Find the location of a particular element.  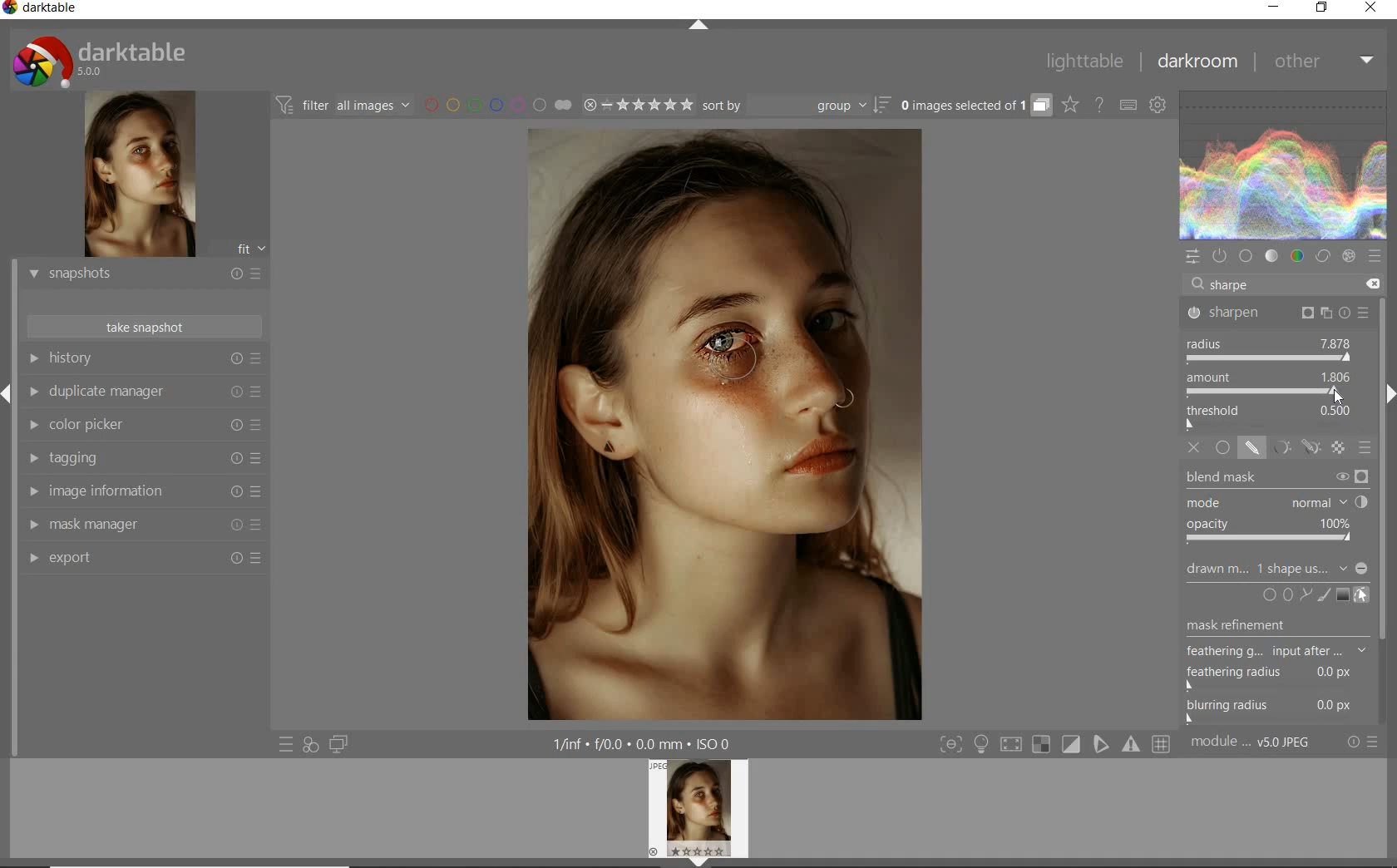

other display information is located at coordinates (645, 744).